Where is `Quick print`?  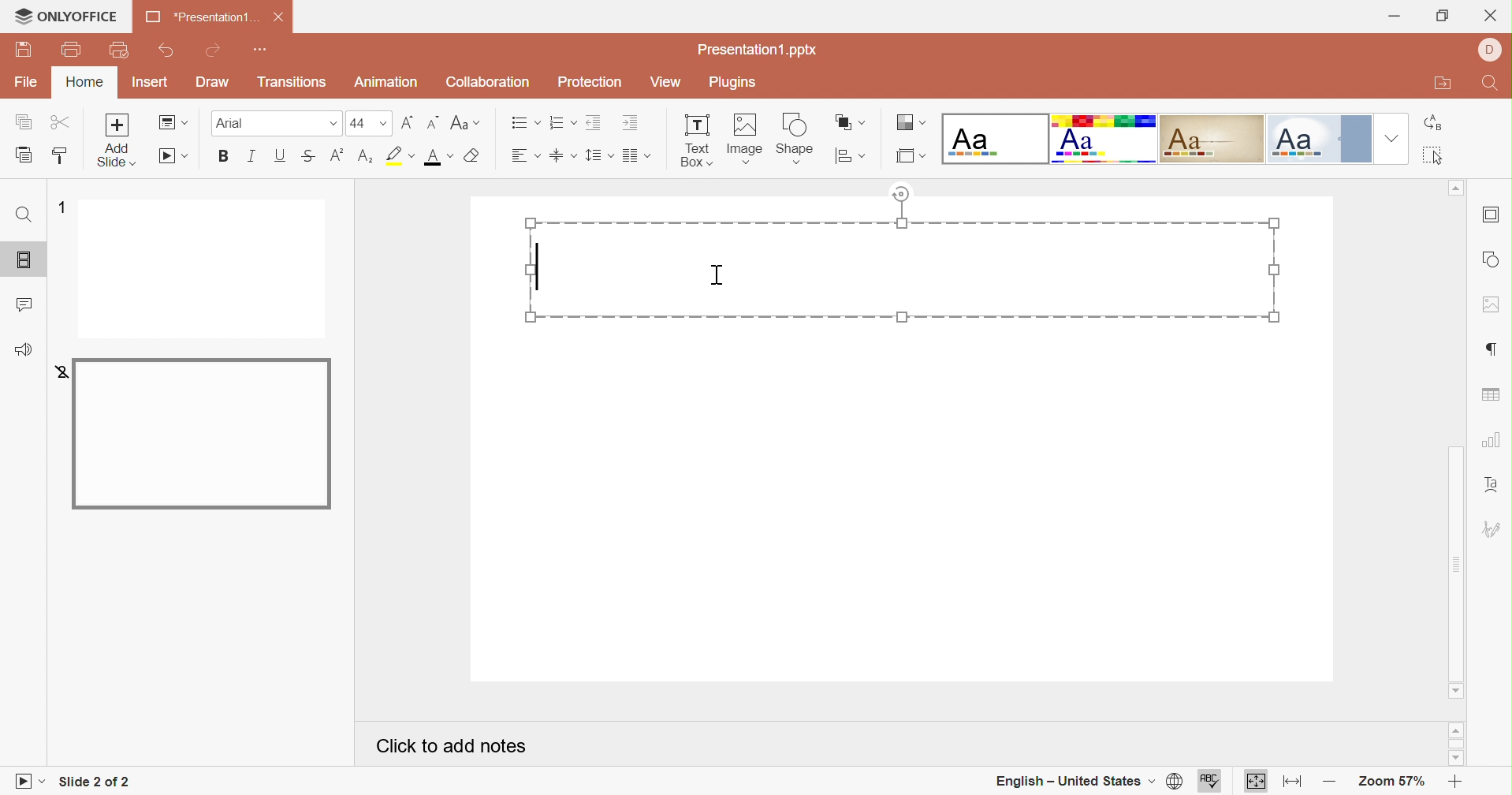
Quick print is located at coordinates (121, 51).